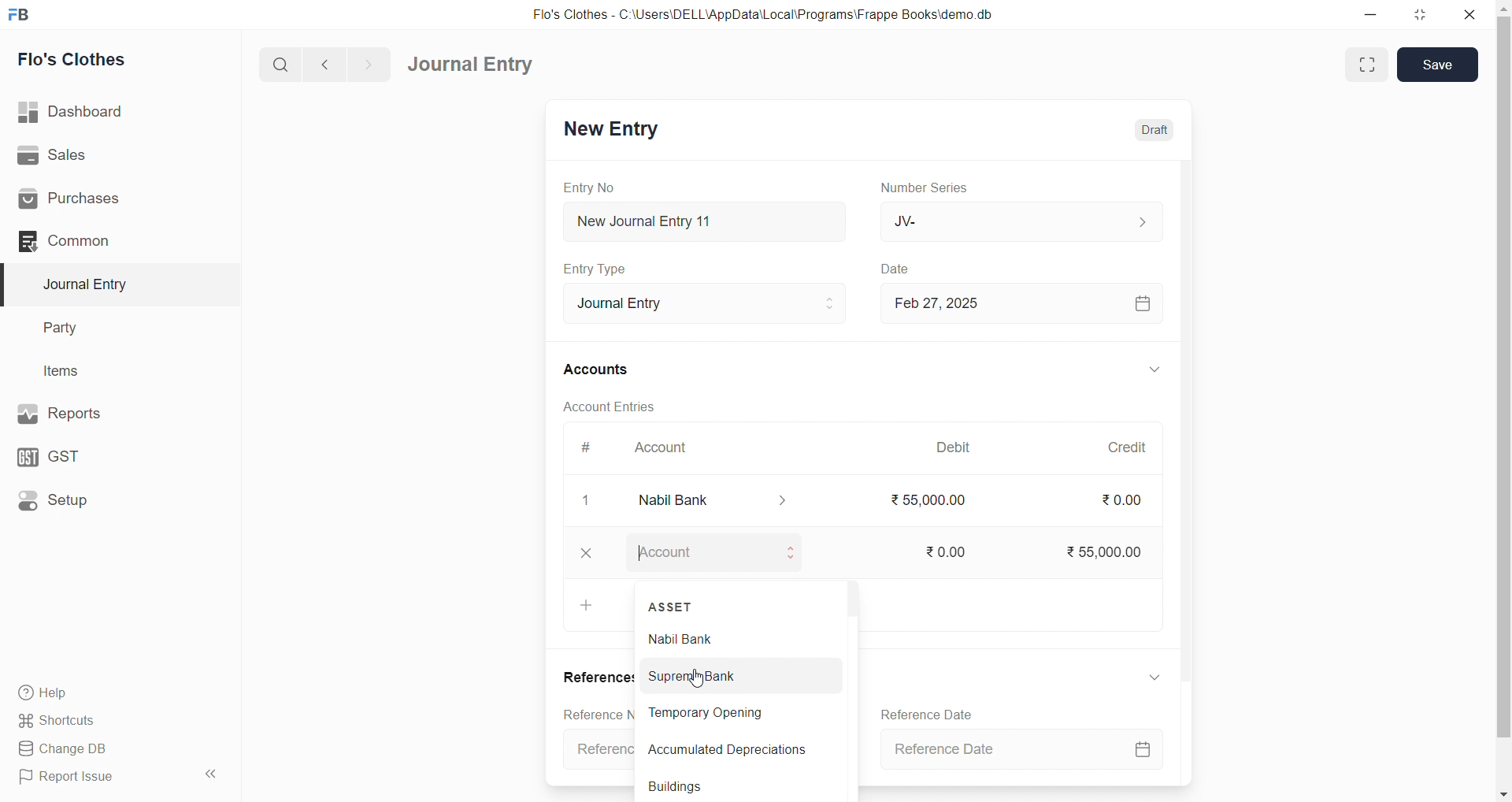  I want to click on ₹0.00, so click(1132, 500).